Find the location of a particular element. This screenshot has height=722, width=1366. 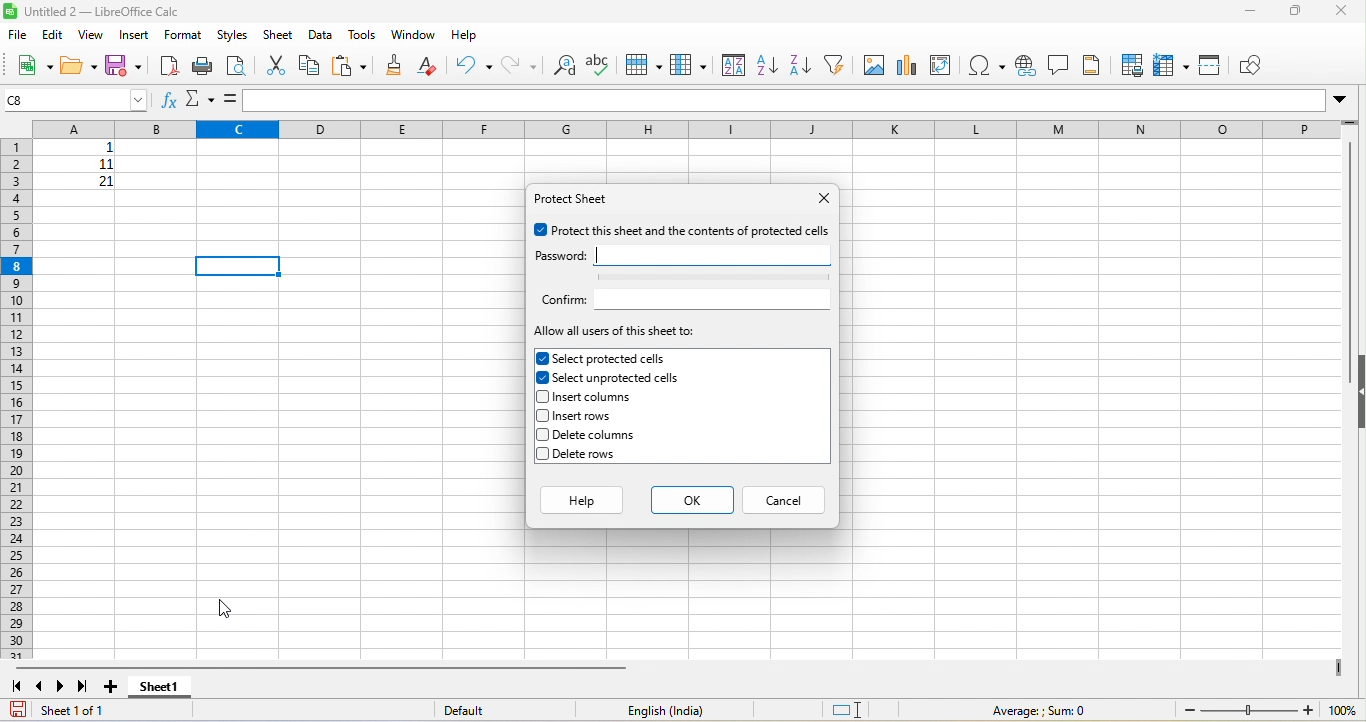

row numbers is located at coordinates (19, 398).